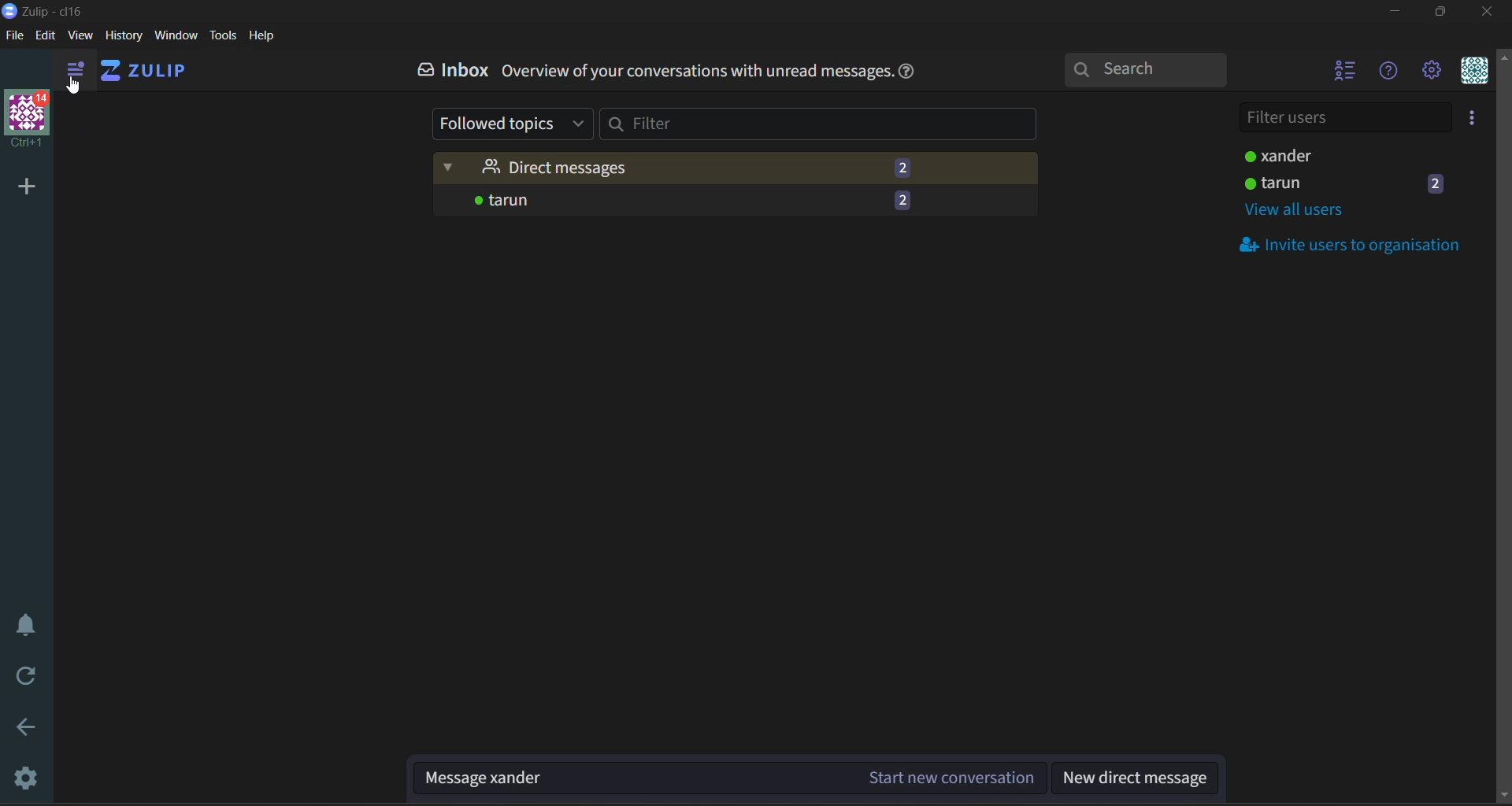  I want to click on view, so click(84, 37).